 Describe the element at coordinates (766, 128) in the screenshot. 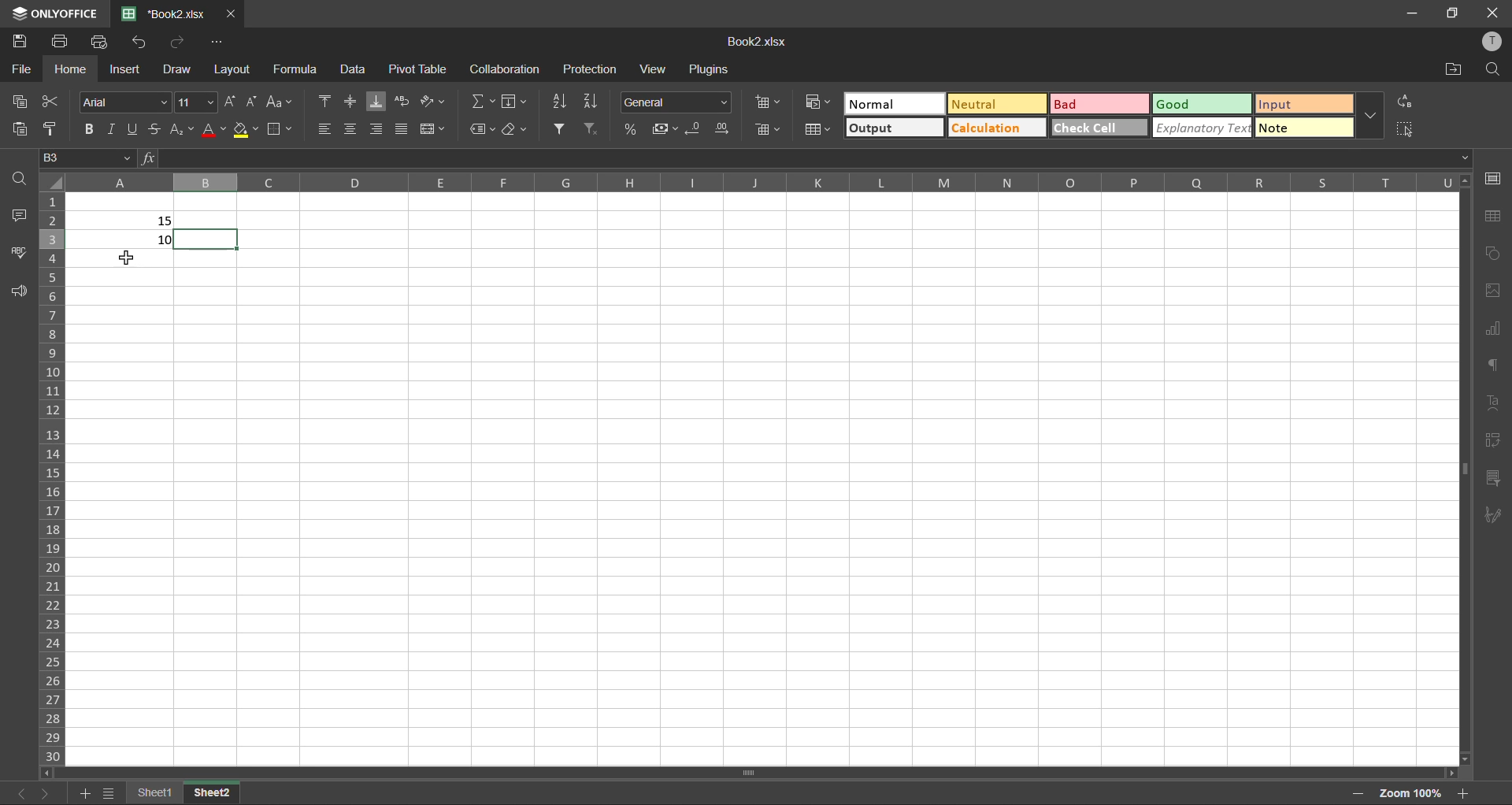

I see `delete cells` at that location.